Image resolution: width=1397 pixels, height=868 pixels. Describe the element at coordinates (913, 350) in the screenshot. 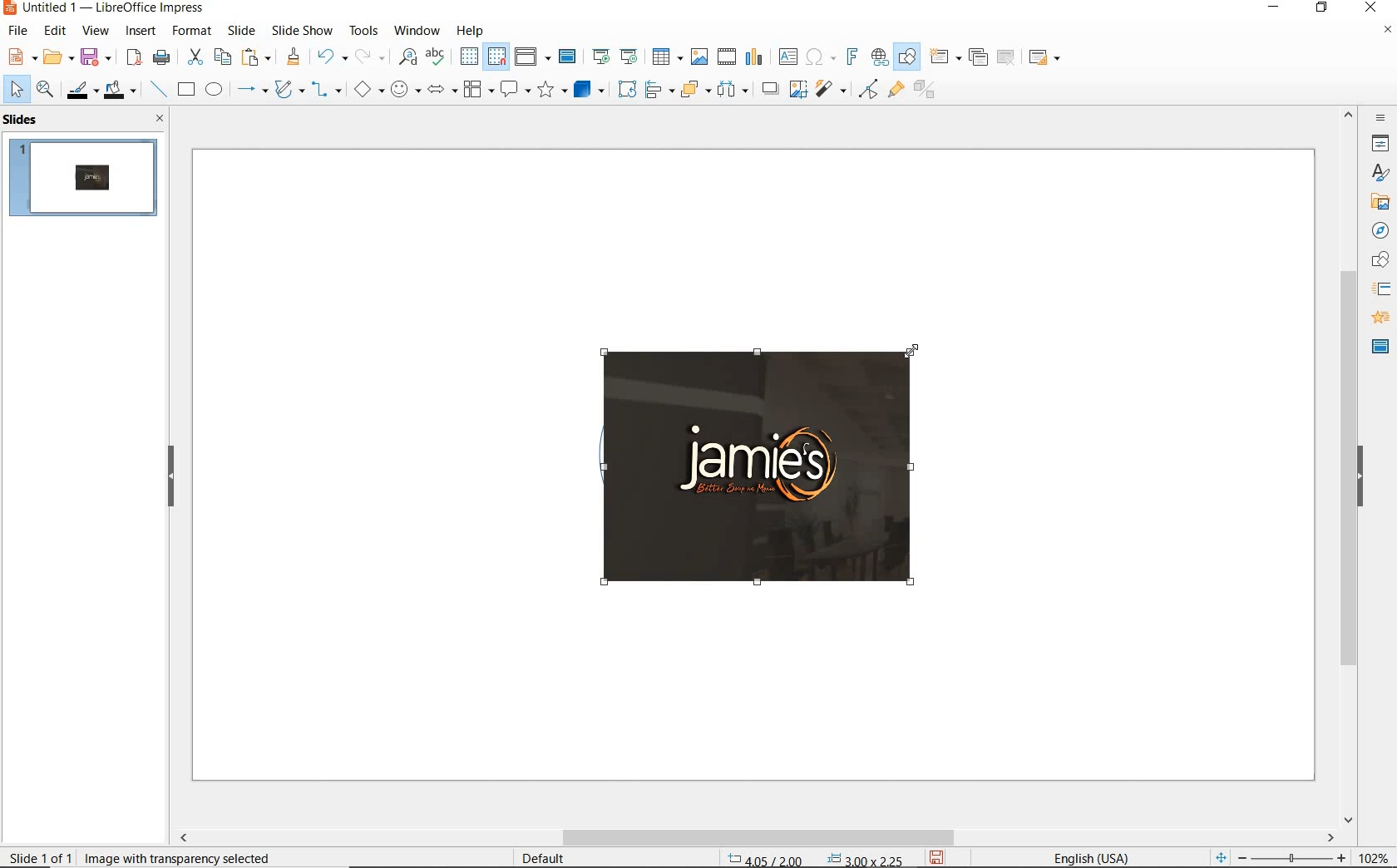

I see `Cursor` at that location.